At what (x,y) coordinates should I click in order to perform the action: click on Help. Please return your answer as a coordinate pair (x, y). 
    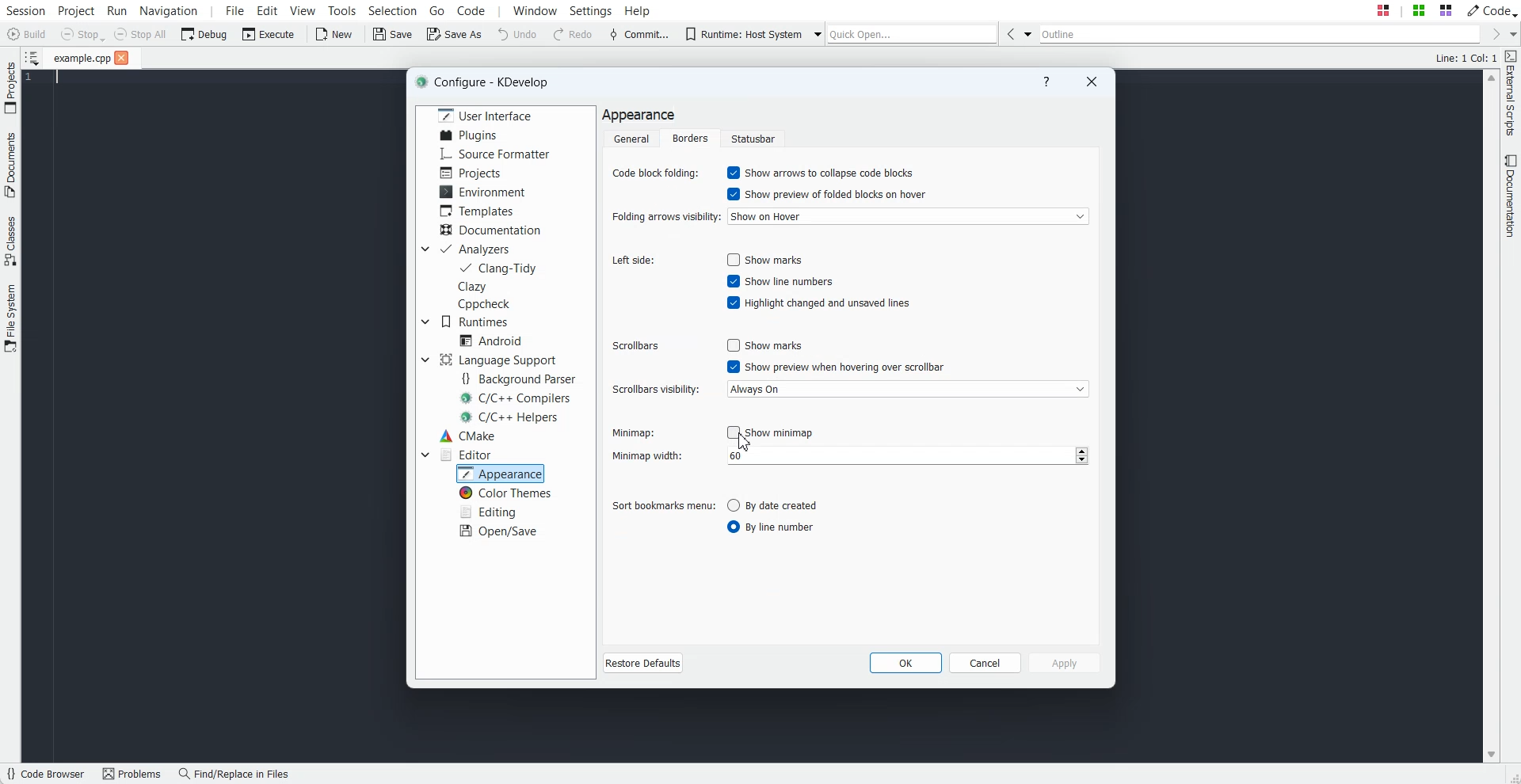
    Looking at the image, I should click on (638, 10).